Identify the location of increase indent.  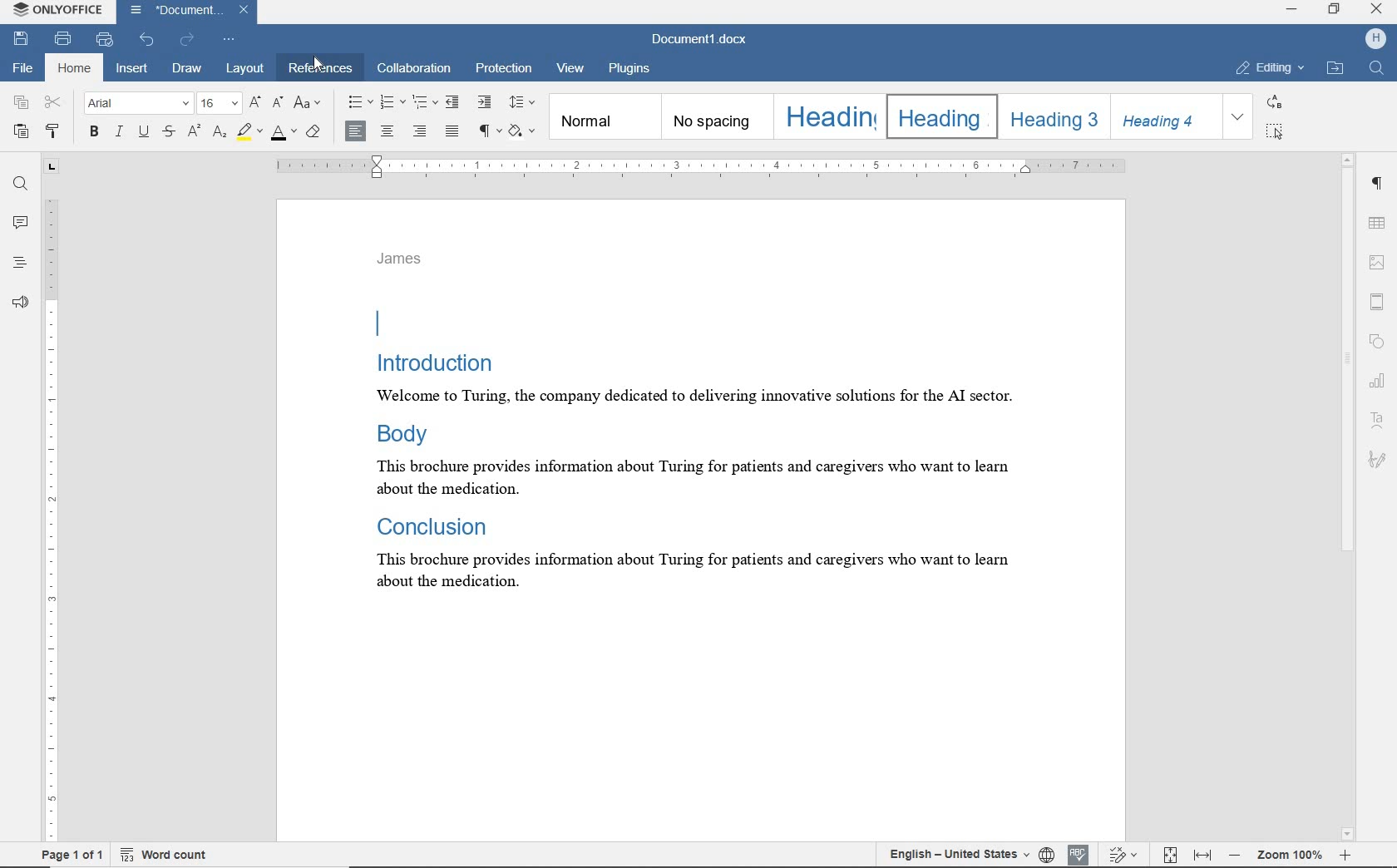
(486, 103).